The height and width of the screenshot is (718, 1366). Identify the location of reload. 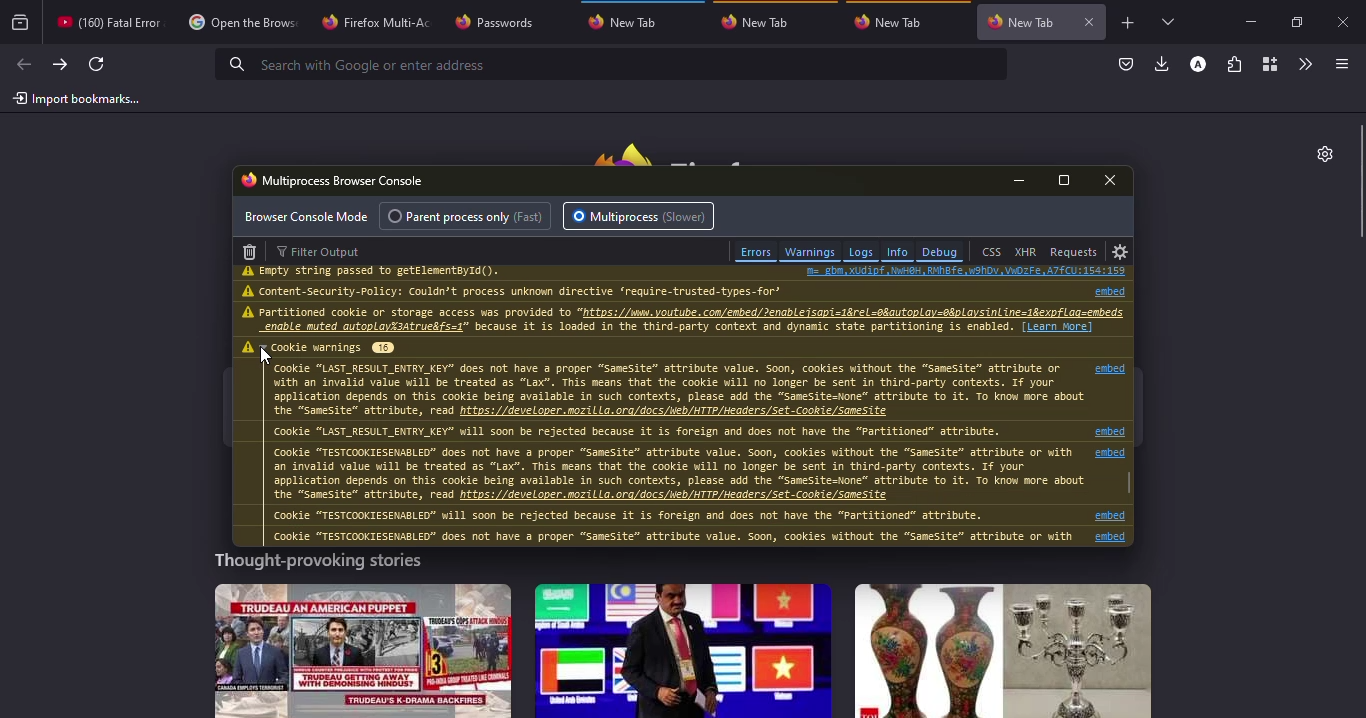
(96, 64).